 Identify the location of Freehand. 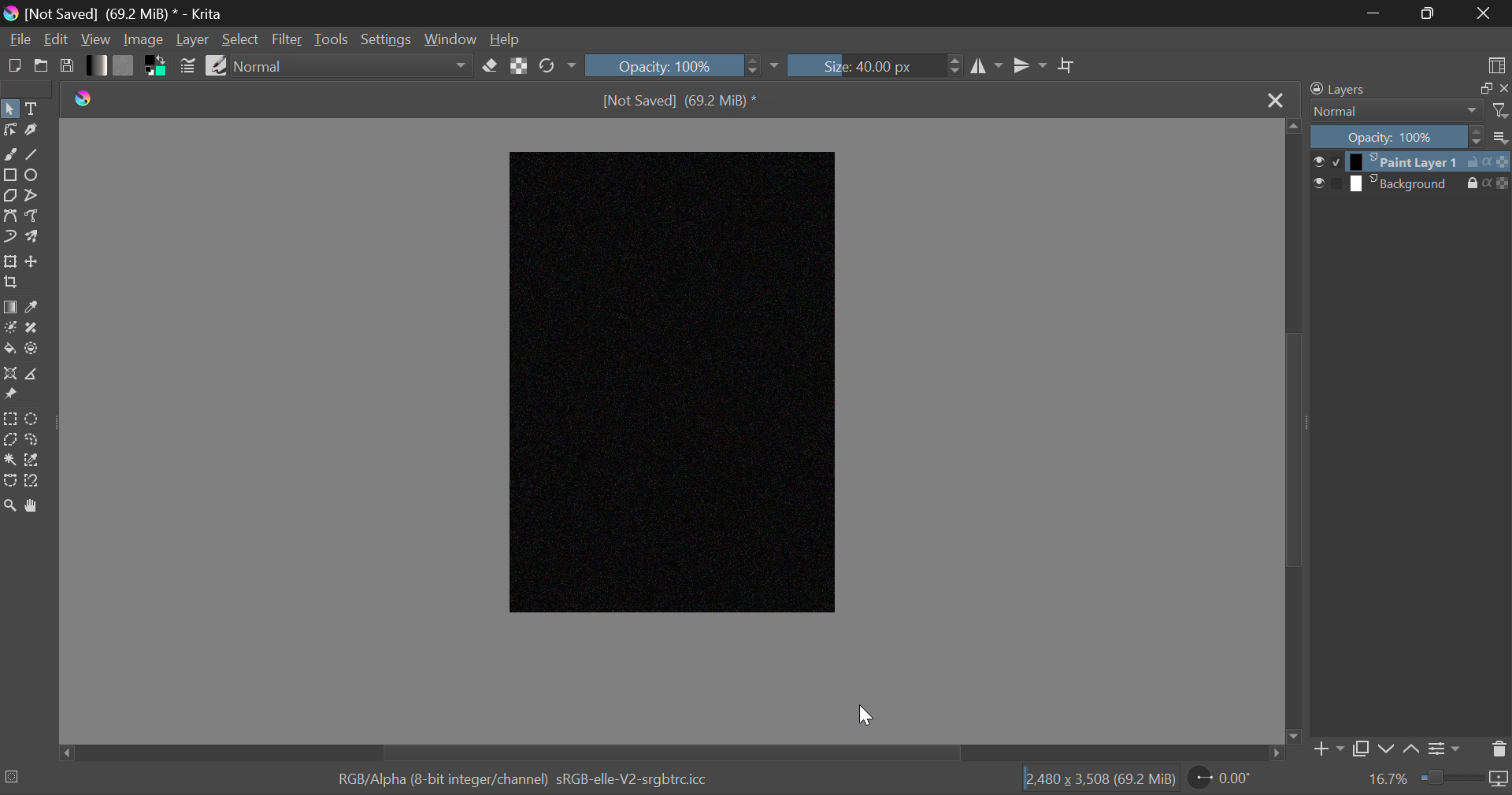
(9, 154).